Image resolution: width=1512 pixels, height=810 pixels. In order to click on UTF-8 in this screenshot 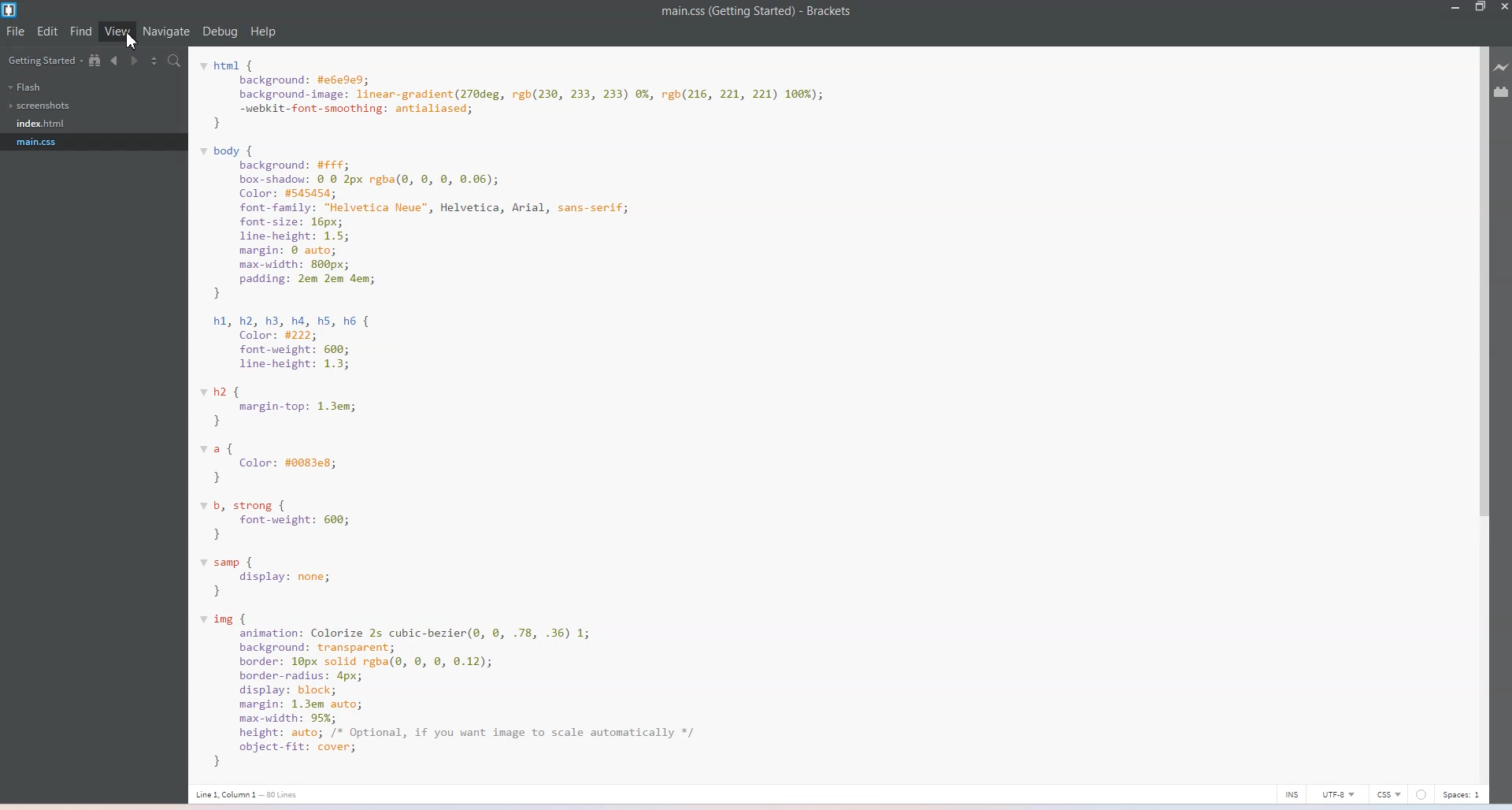, I will do `click(1340, 793)`.